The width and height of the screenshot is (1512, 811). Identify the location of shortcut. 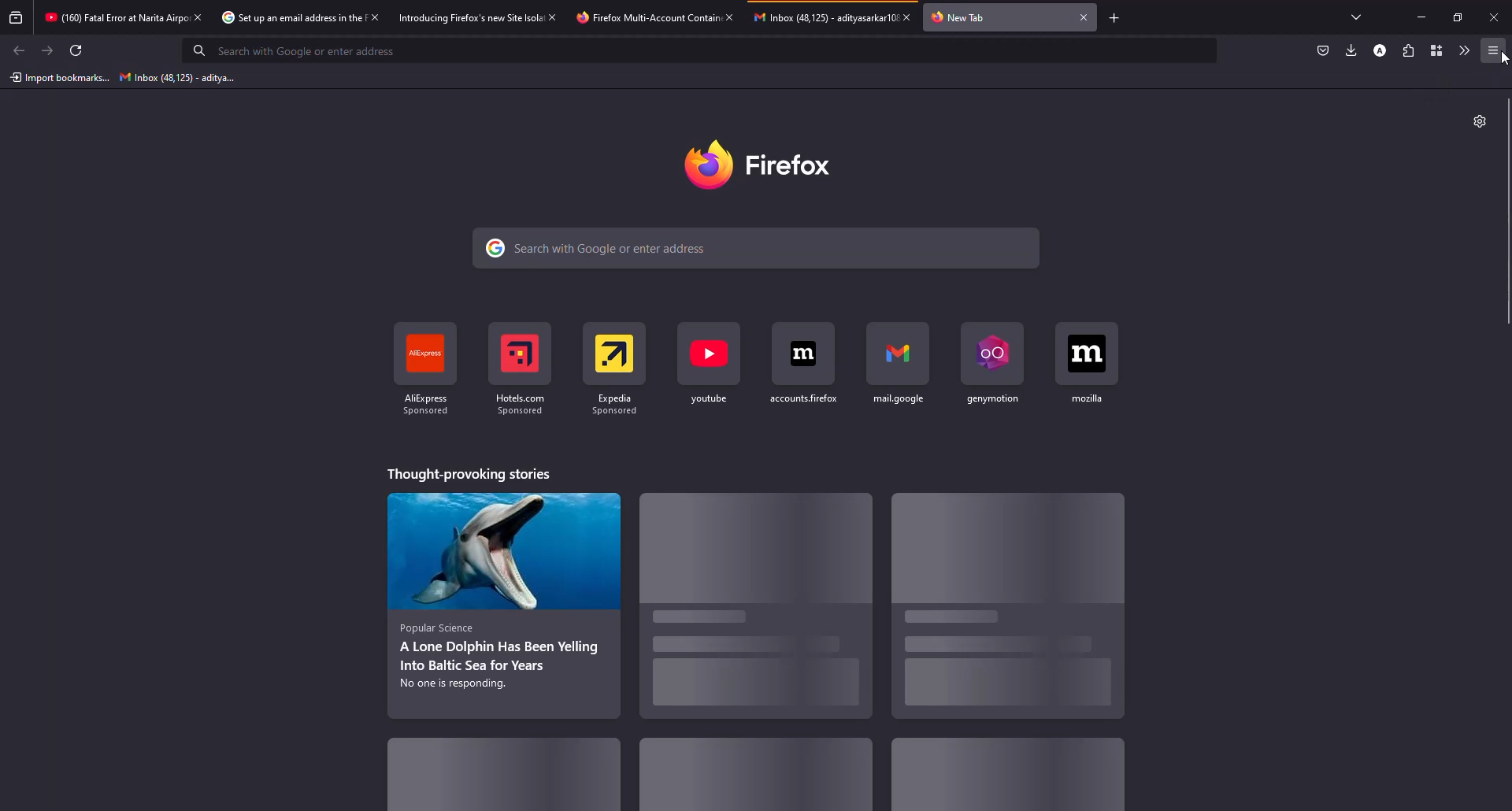
(1090, 363).